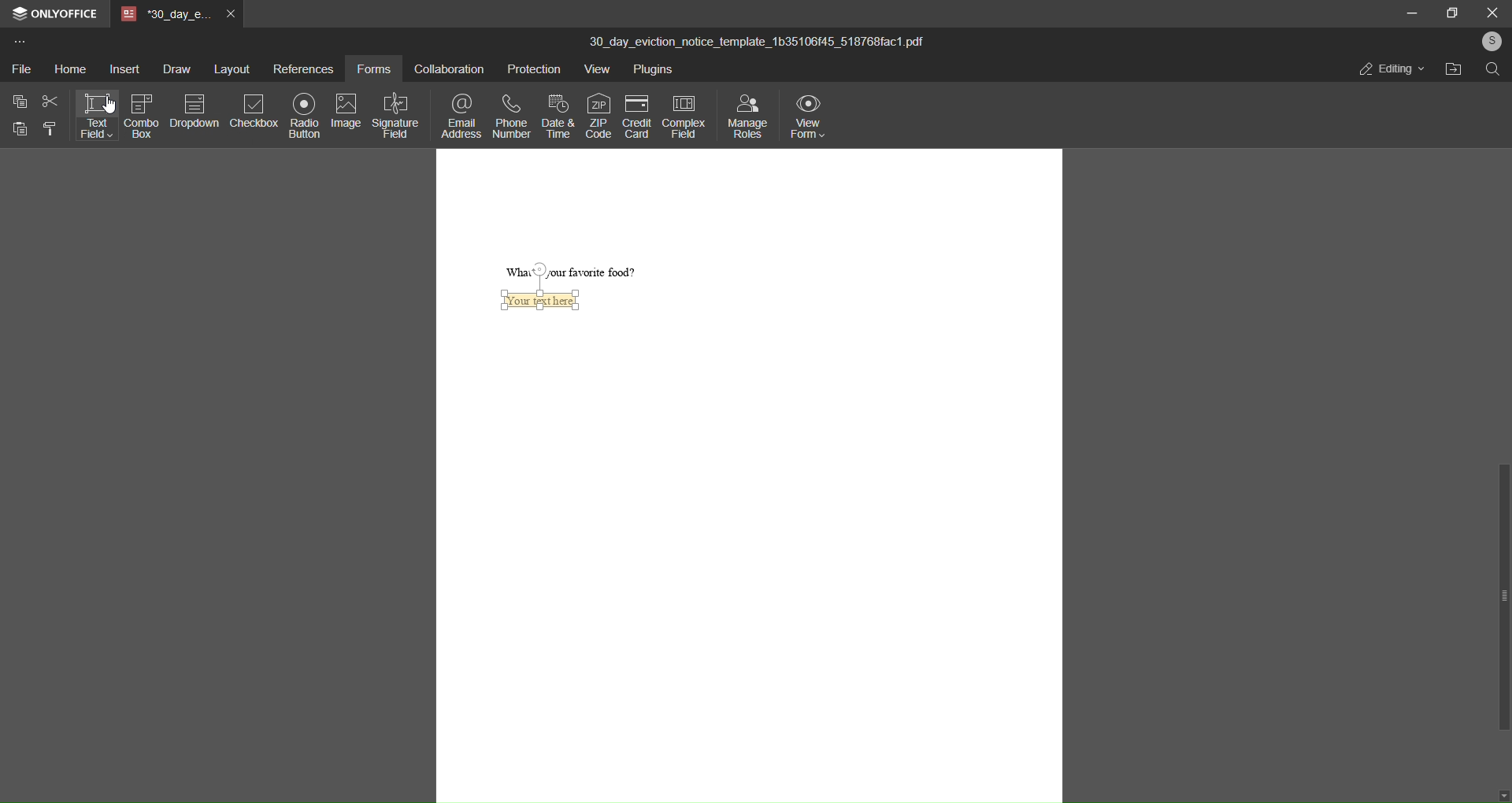 The width and height of the screenshot is (1512, 803). Describe the element at coordinates (1410, 13) in the screenshot. I see `minimize` at that location.